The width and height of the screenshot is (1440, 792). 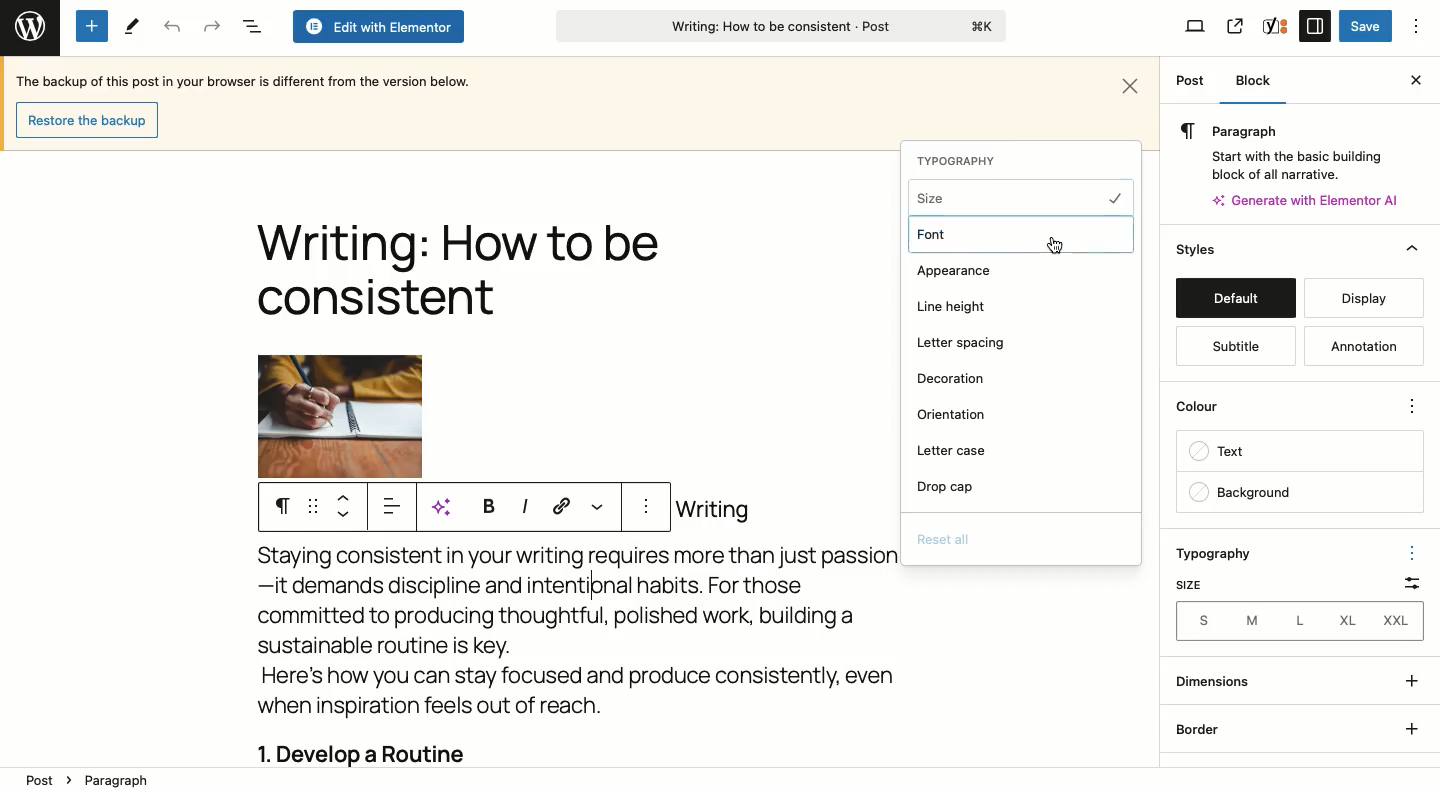 What do you see at coordinates (172, 27) in the screenshot?
I see `Undo` at bounding box center [172, 27].